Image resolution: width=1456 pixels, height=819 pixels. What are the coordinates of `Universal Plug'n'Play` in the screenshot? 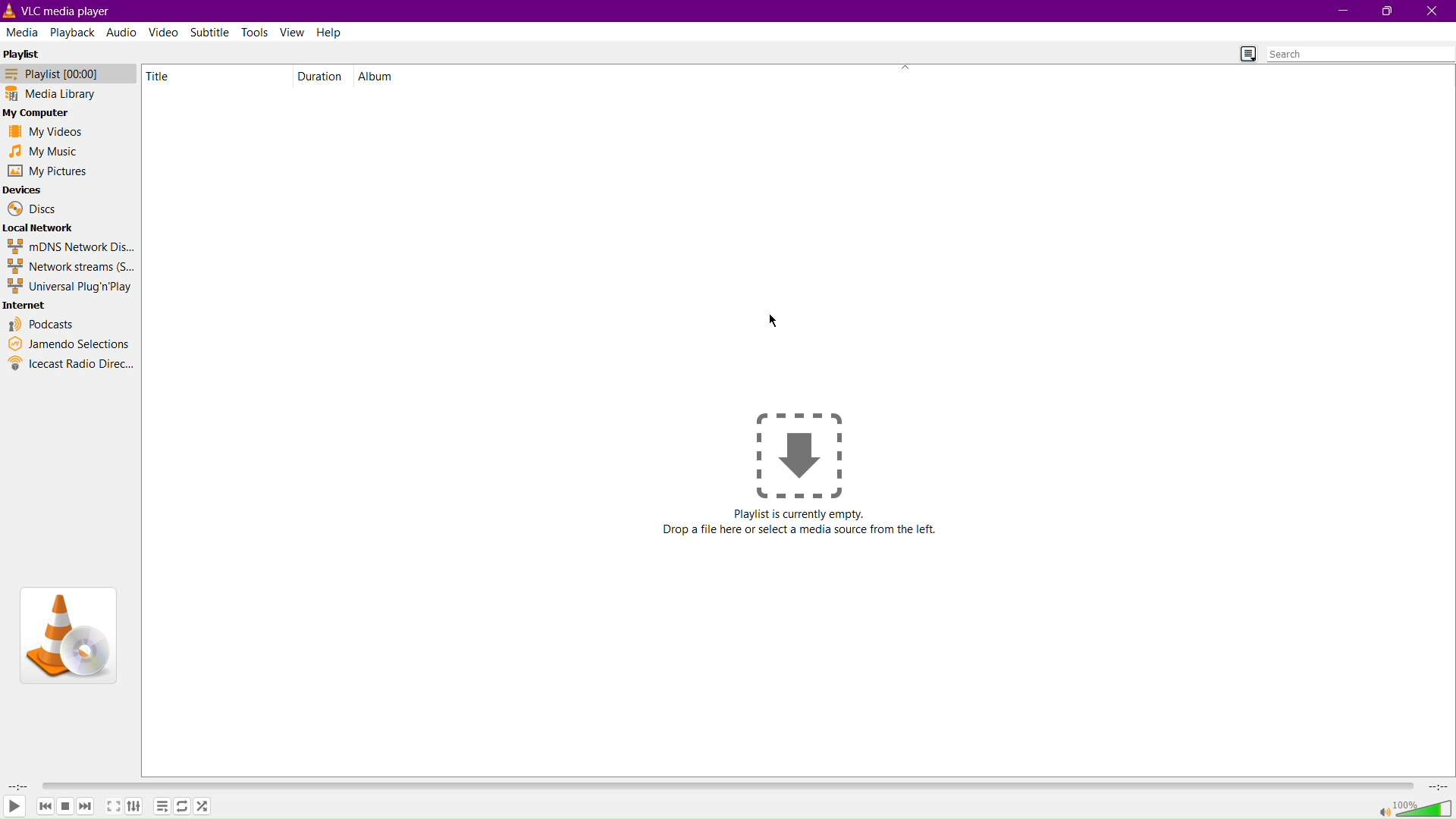 It's located at (71, 287).